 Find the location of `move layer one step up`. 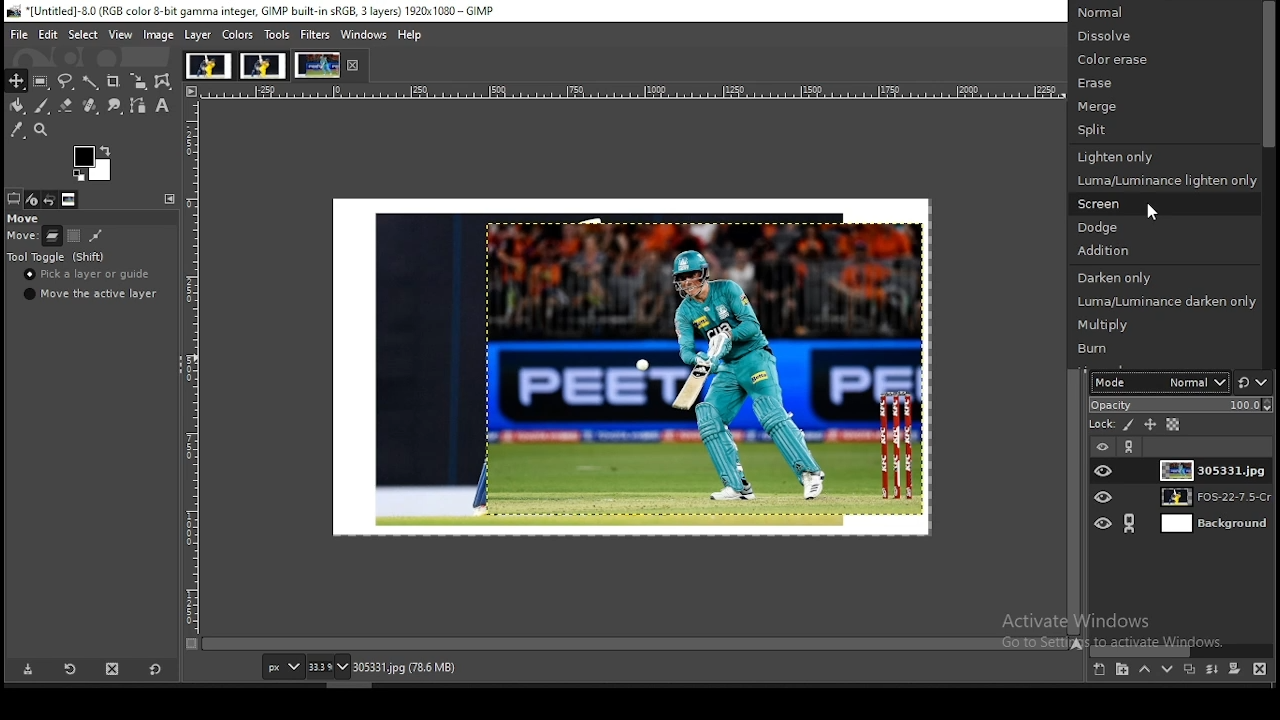

move layer one step up is located at coordinates (1146, 669).